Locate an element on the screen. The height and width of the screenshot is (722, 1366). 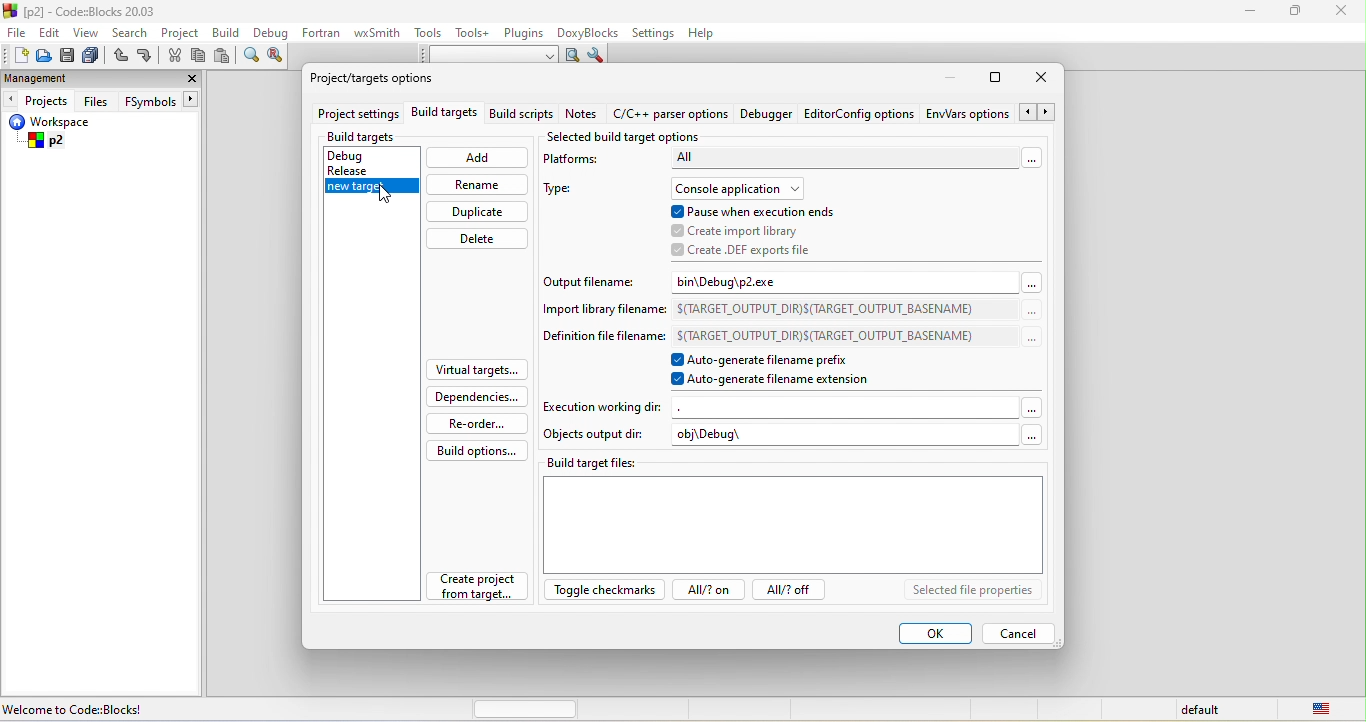
[p2] - Code=Blocks 20.03 is located at coordinates (88, 12).